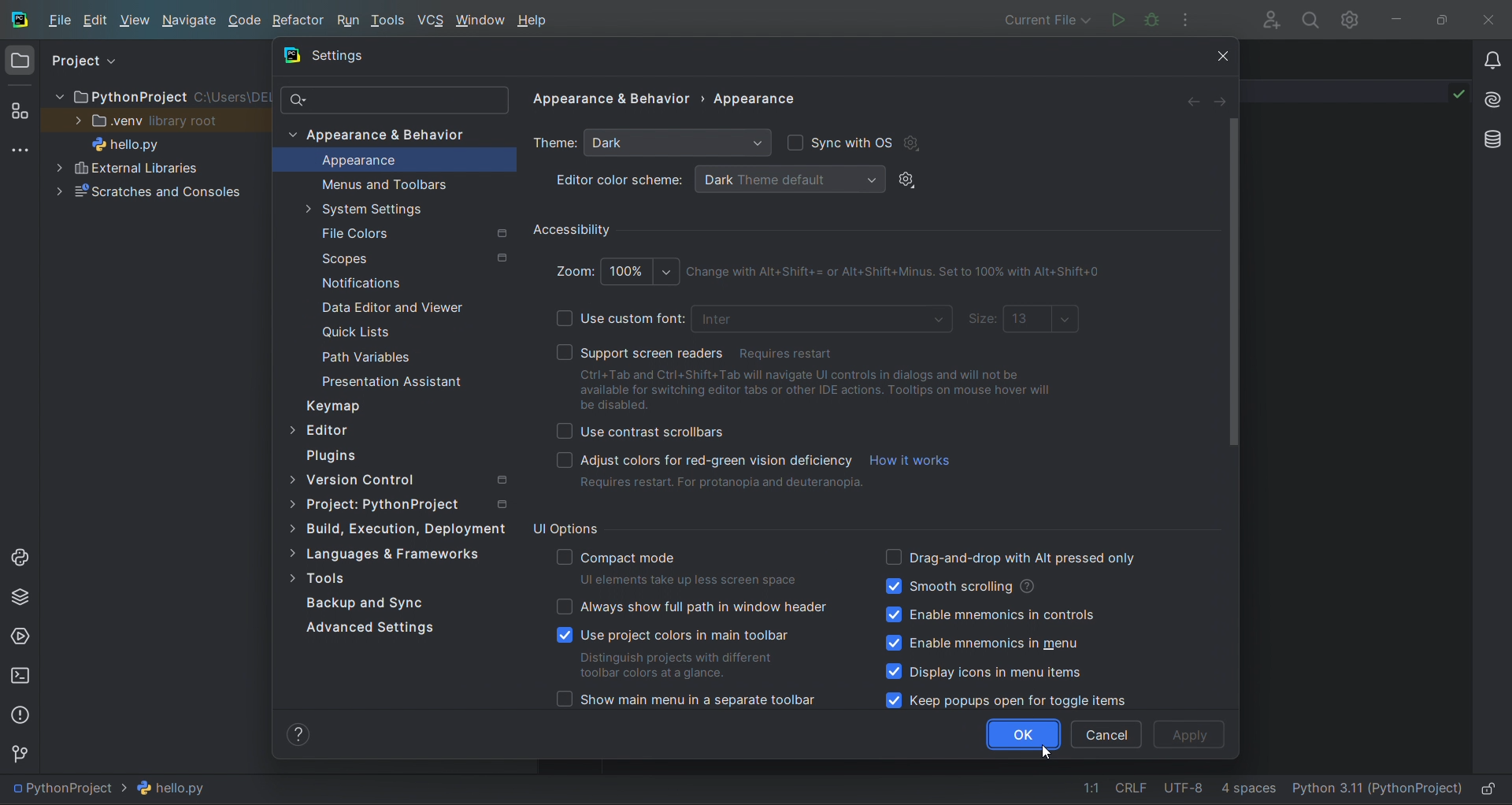 This screenshot has width=1512, height=805. What do you see at coordinates (1458, 95) in the screenshot?
I see `check` at bounding box center [1458, 95].